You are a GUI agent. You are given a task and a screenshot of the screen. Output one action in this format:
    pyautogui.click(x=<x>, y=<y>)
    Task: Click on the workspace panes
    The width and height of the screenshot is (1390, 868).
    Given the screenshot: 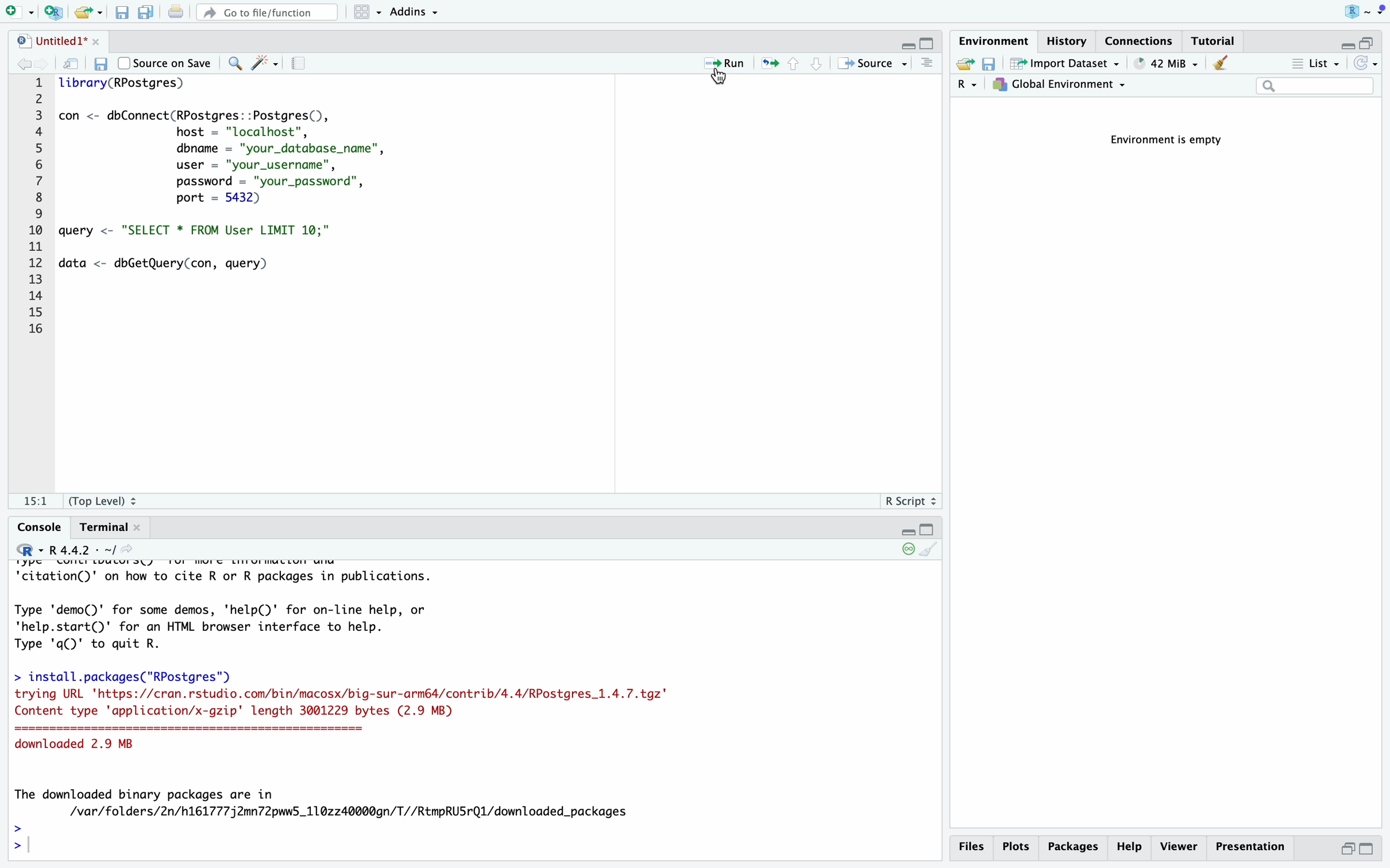 What is the action you would take?
    pyautogui.click(x=368, y=12)
    